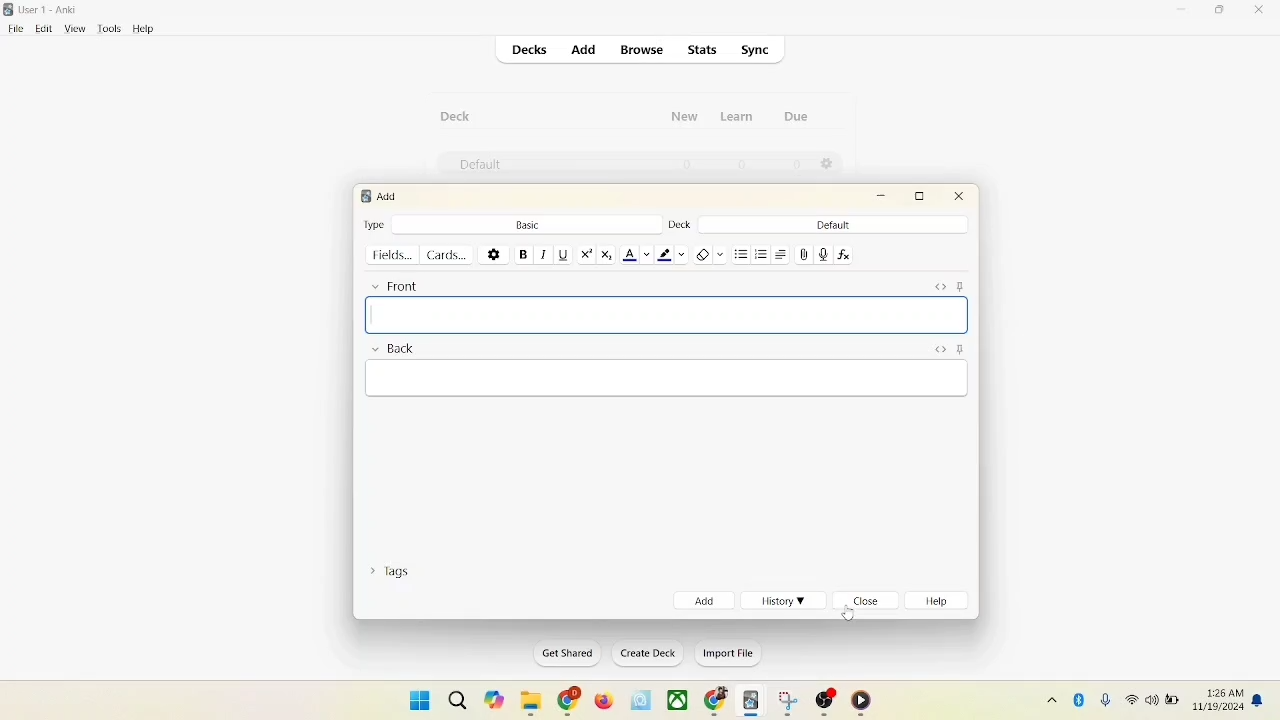  What do you see at coordinates (1260, 11) in the screenshot?
I see `close` at bounding box center [1260, 11].